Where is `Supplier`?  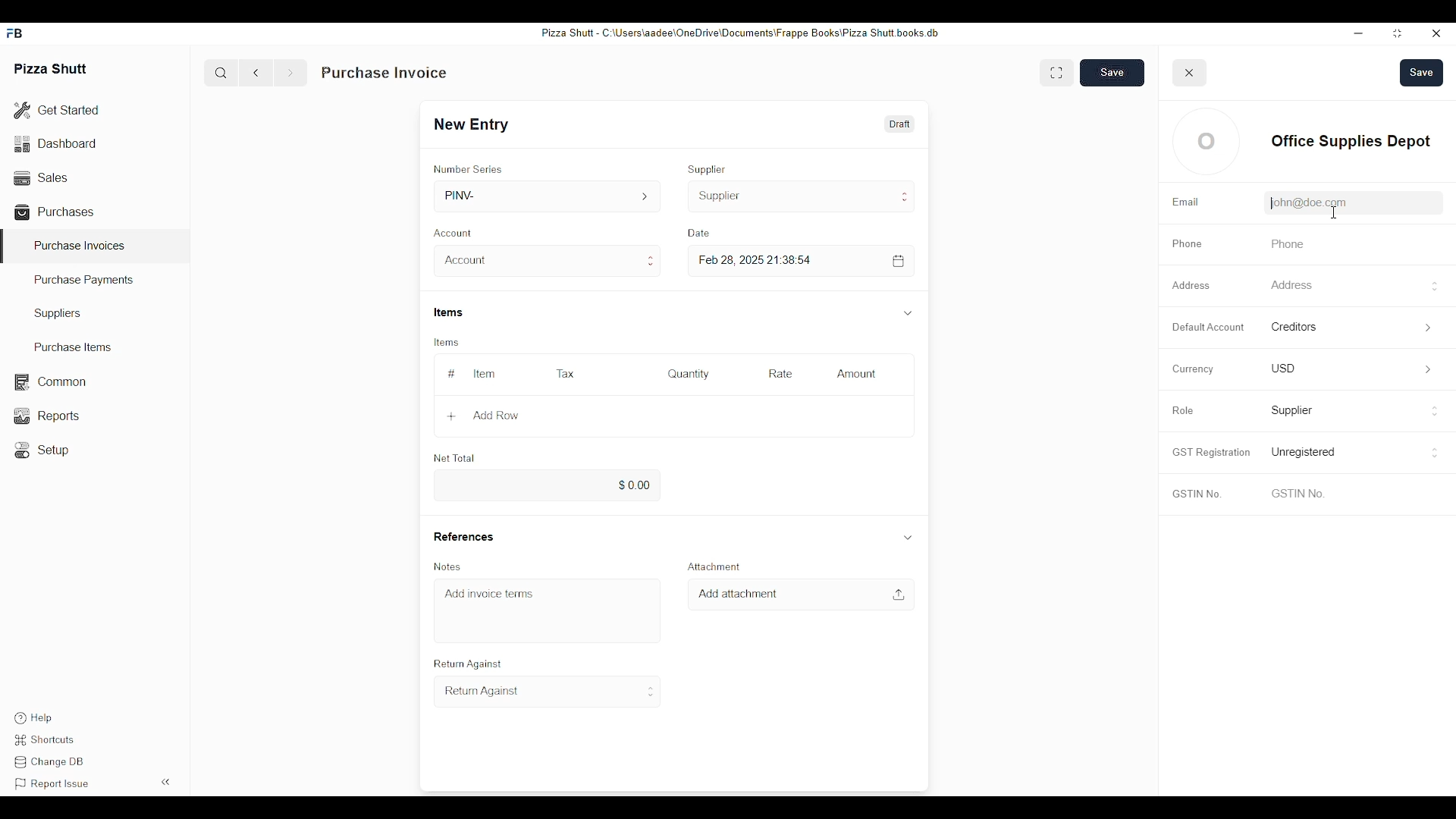
Supplier is located at coordinates (802, 196).